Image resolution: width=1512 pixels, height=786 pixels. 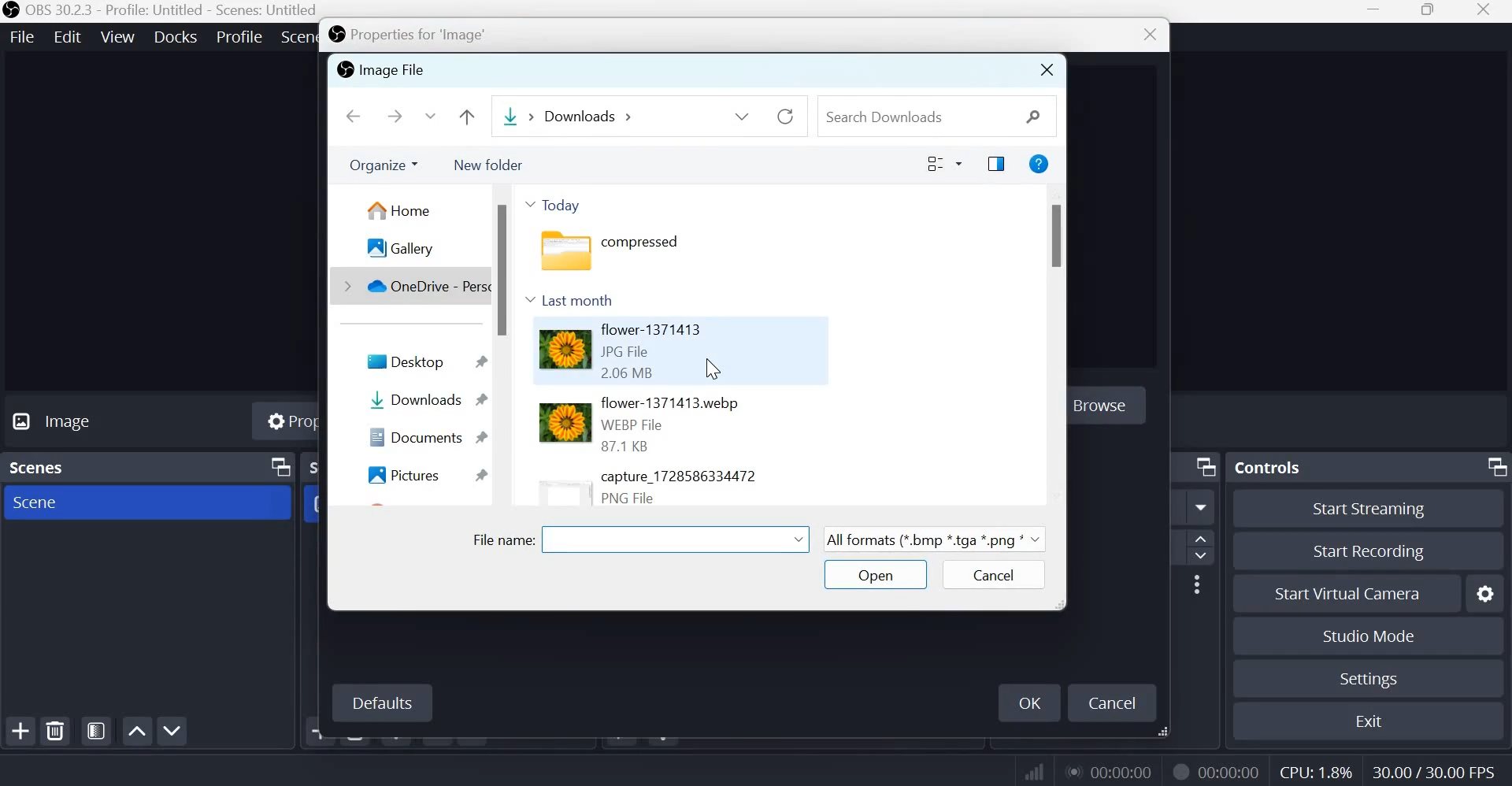 I want to click on Start virtual camera, so click(x=1359, y=591).